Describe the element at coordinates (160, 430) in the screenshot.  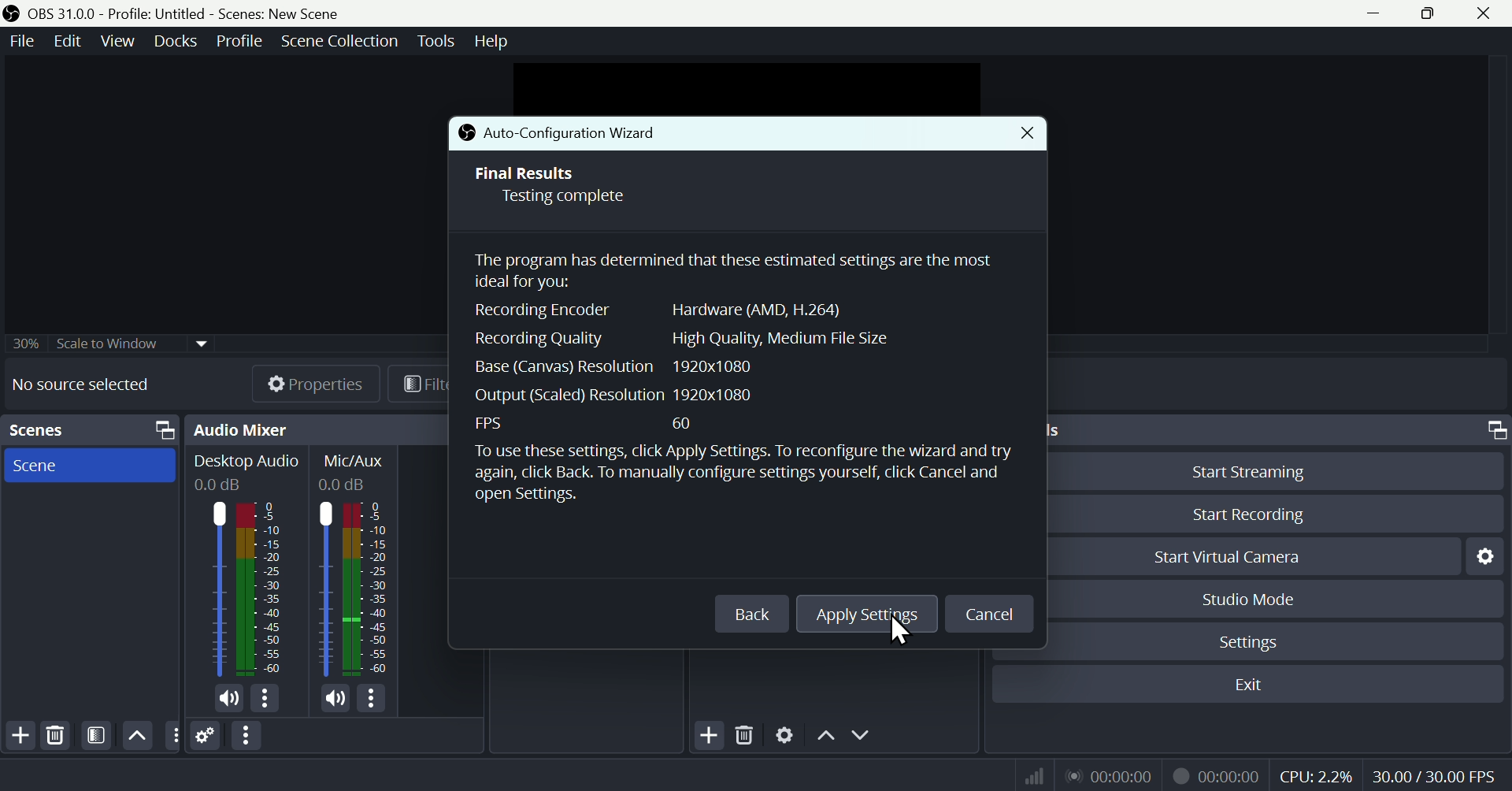
I see `screen resize` at that location.